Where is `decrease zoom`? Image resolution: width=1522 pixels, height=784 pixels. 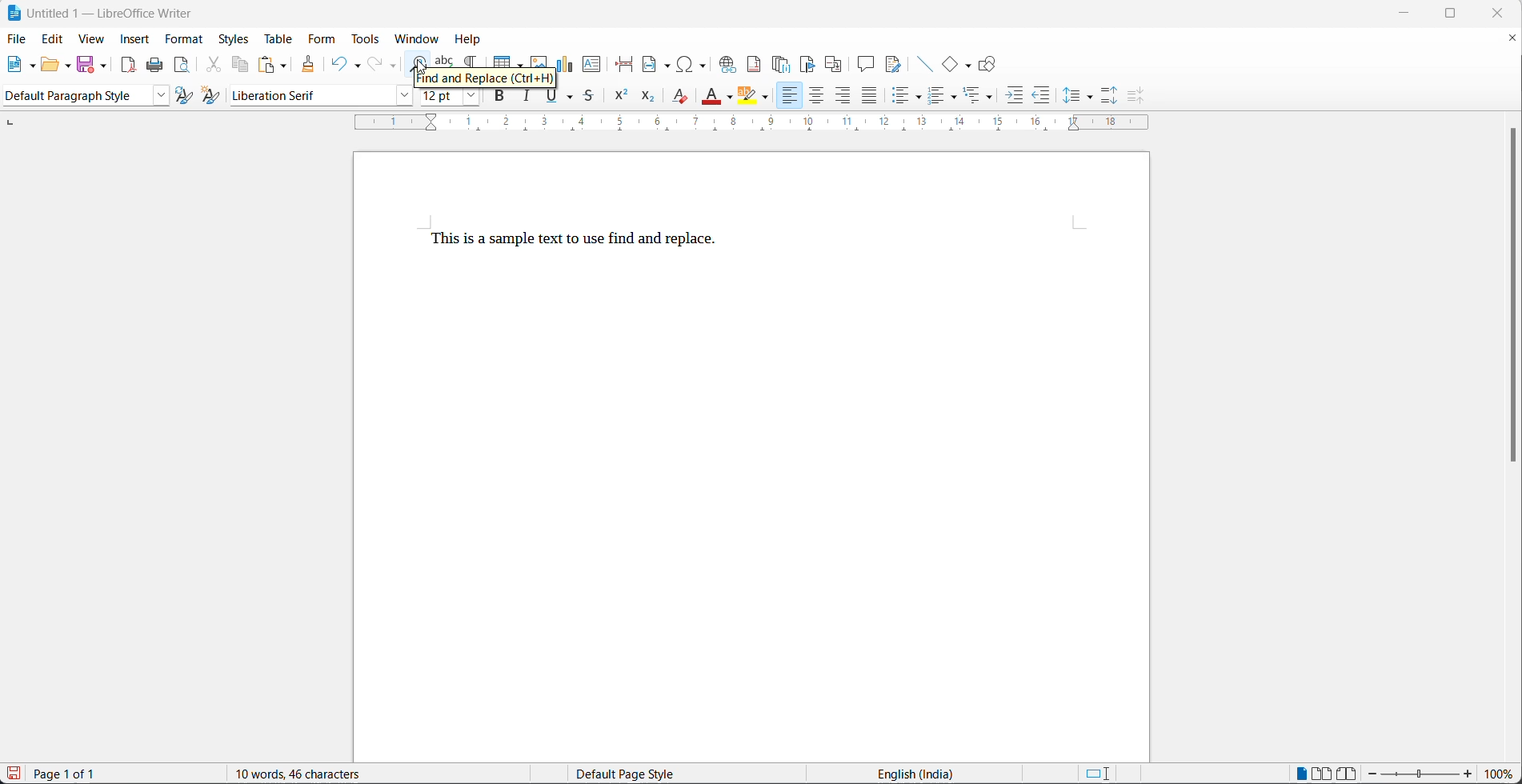 decrease zoom is located at coordinates (1372, 774).